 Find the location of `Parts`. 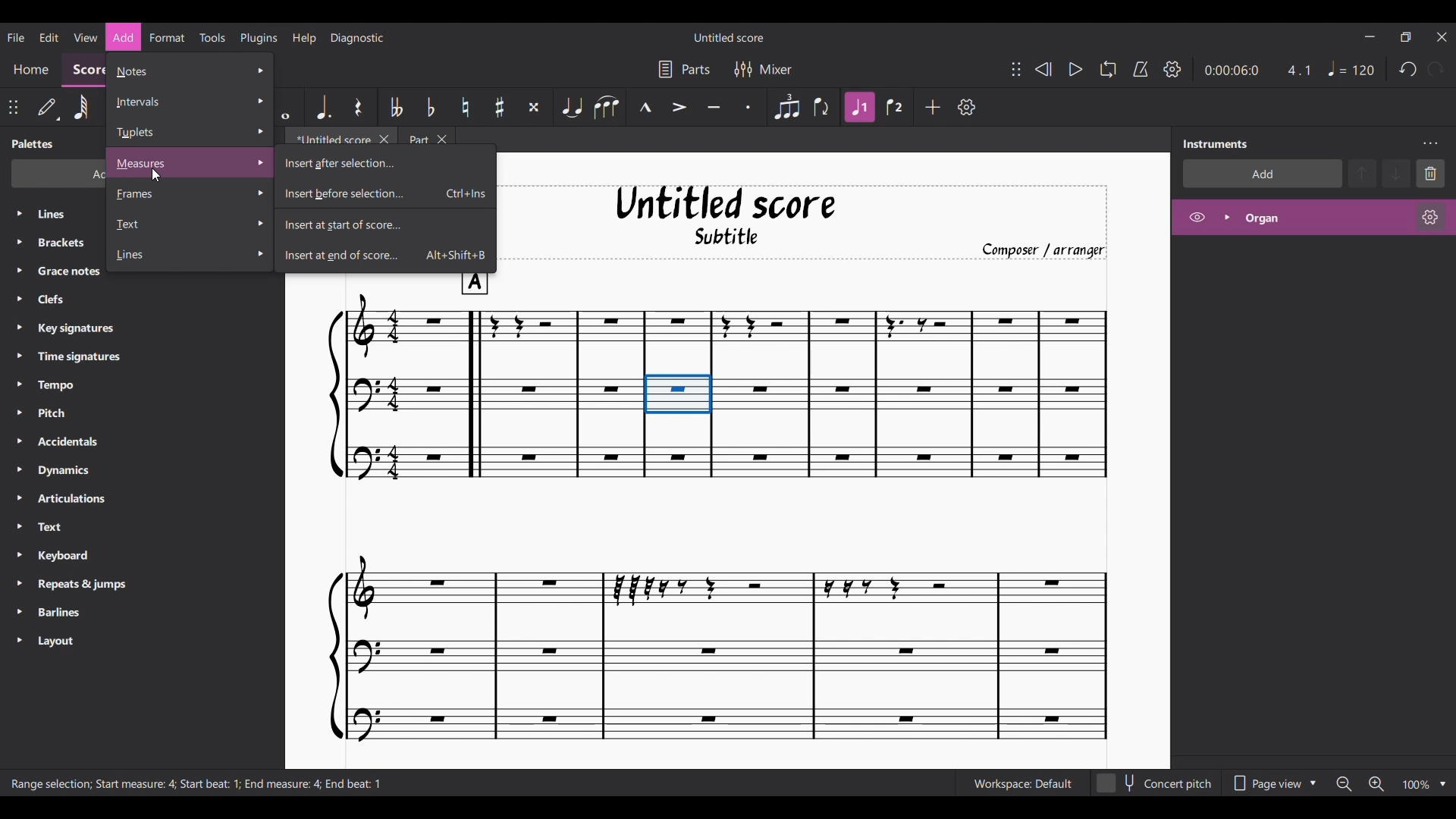

Parts is located at coordinates (684, 70).